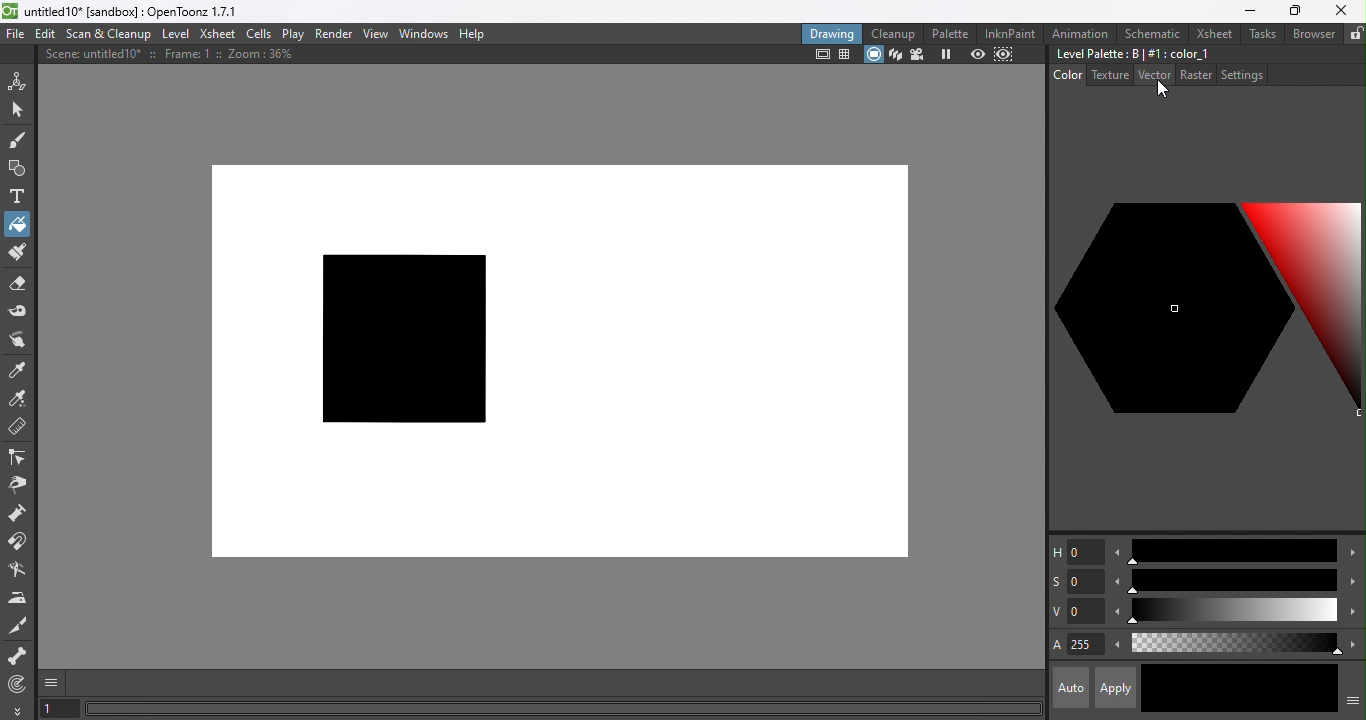 The image size is (1366, 720). Describe the element at coordinates (1207, 315) in the screenshot. I see `color palettes` at that location.